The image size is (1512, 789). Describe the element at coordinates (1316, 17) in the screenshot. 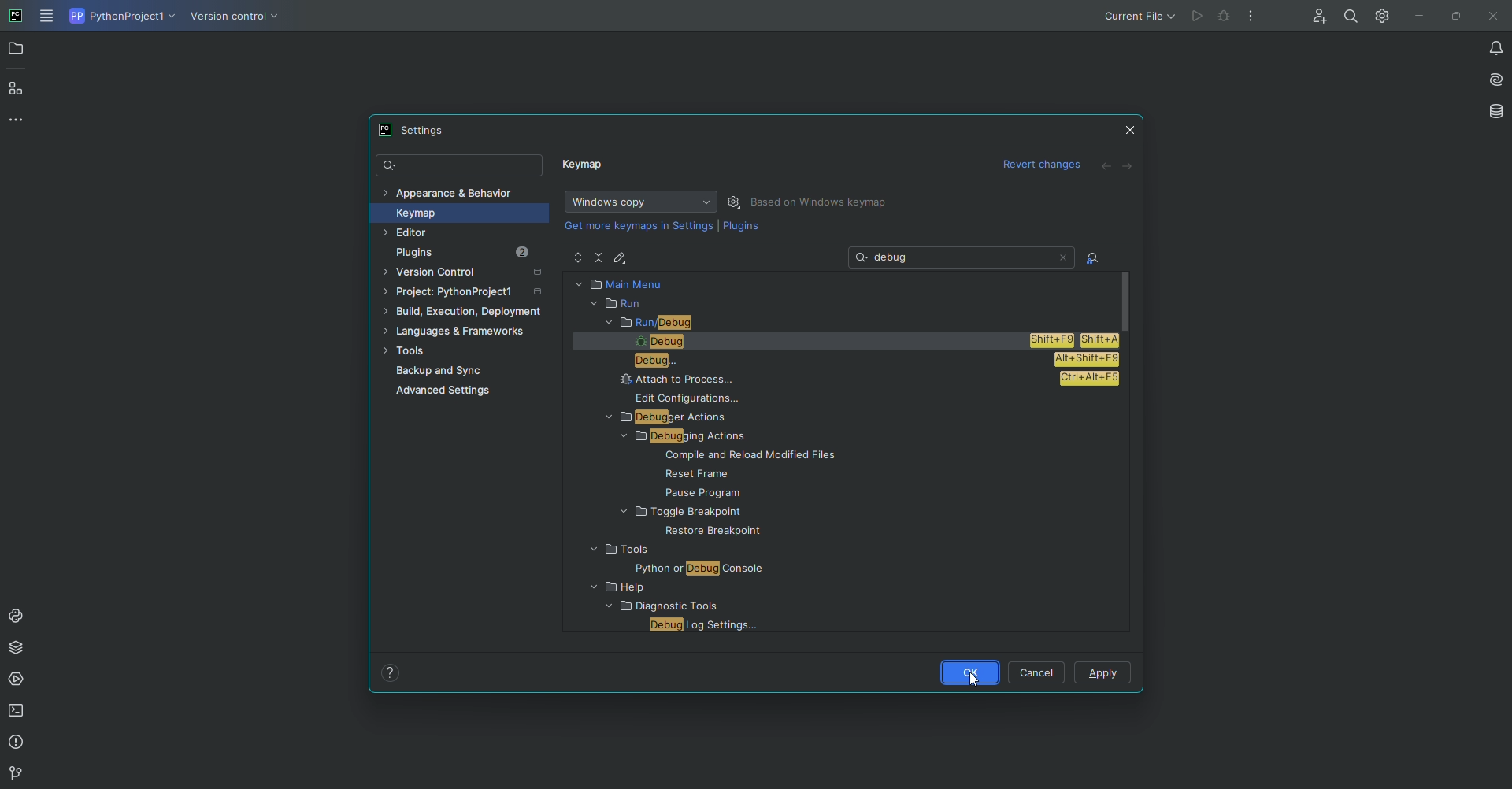

I see `Code with me` at that location.